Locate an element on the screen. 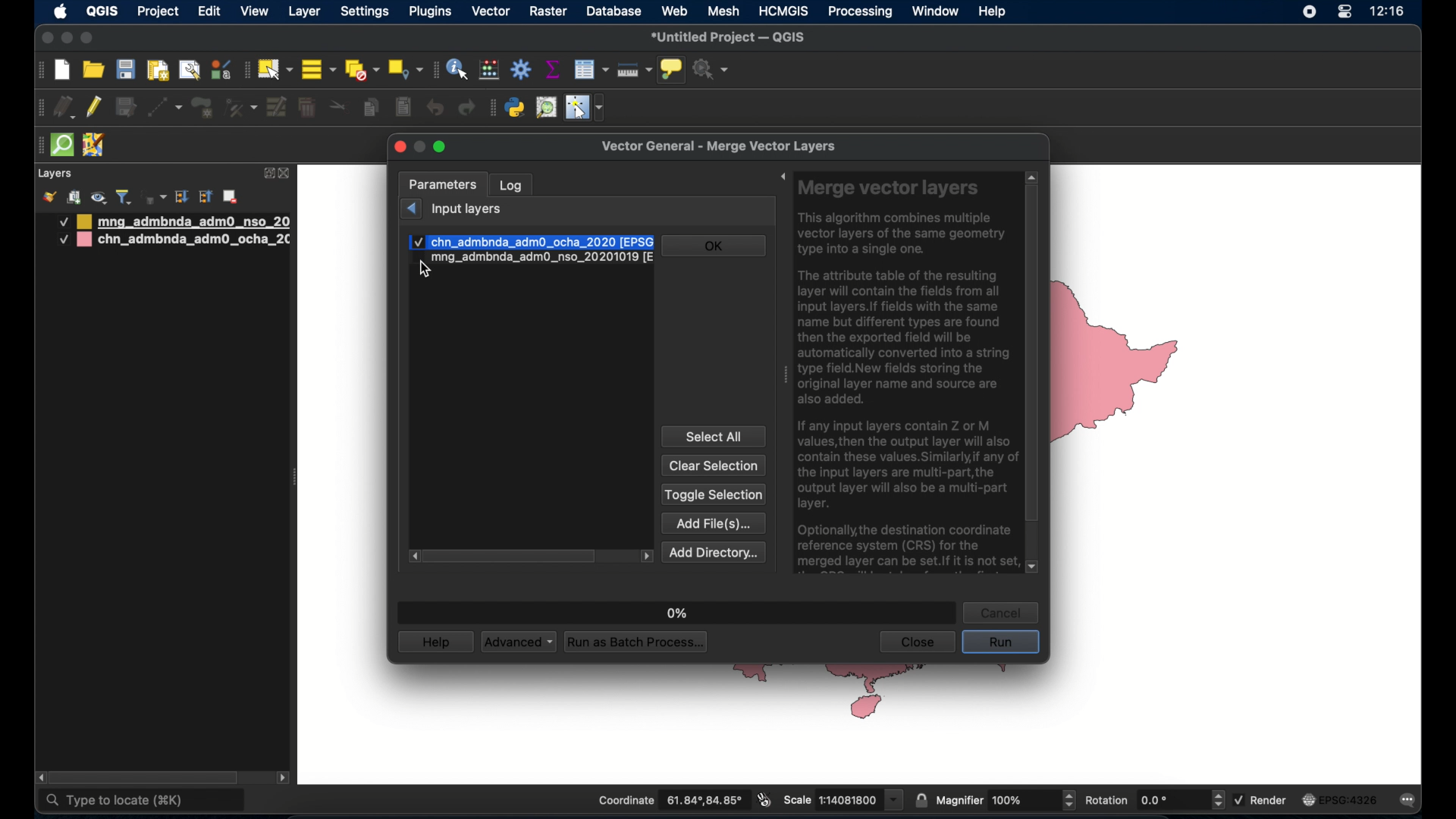  close is located at coordinates (45, 39).